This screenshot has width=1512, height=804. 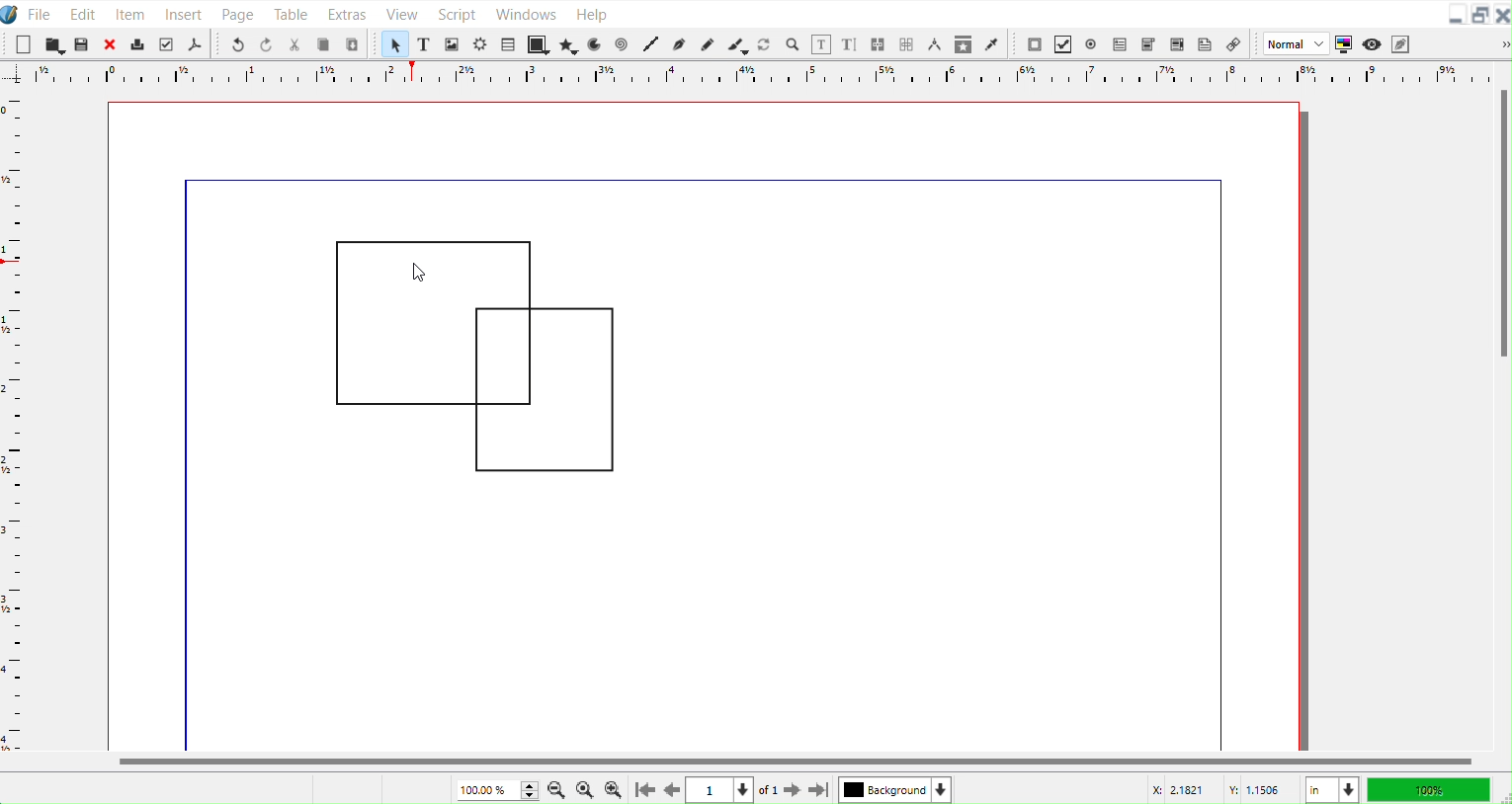 I want to click on Current Zoom level, so click(x=499, y=789).